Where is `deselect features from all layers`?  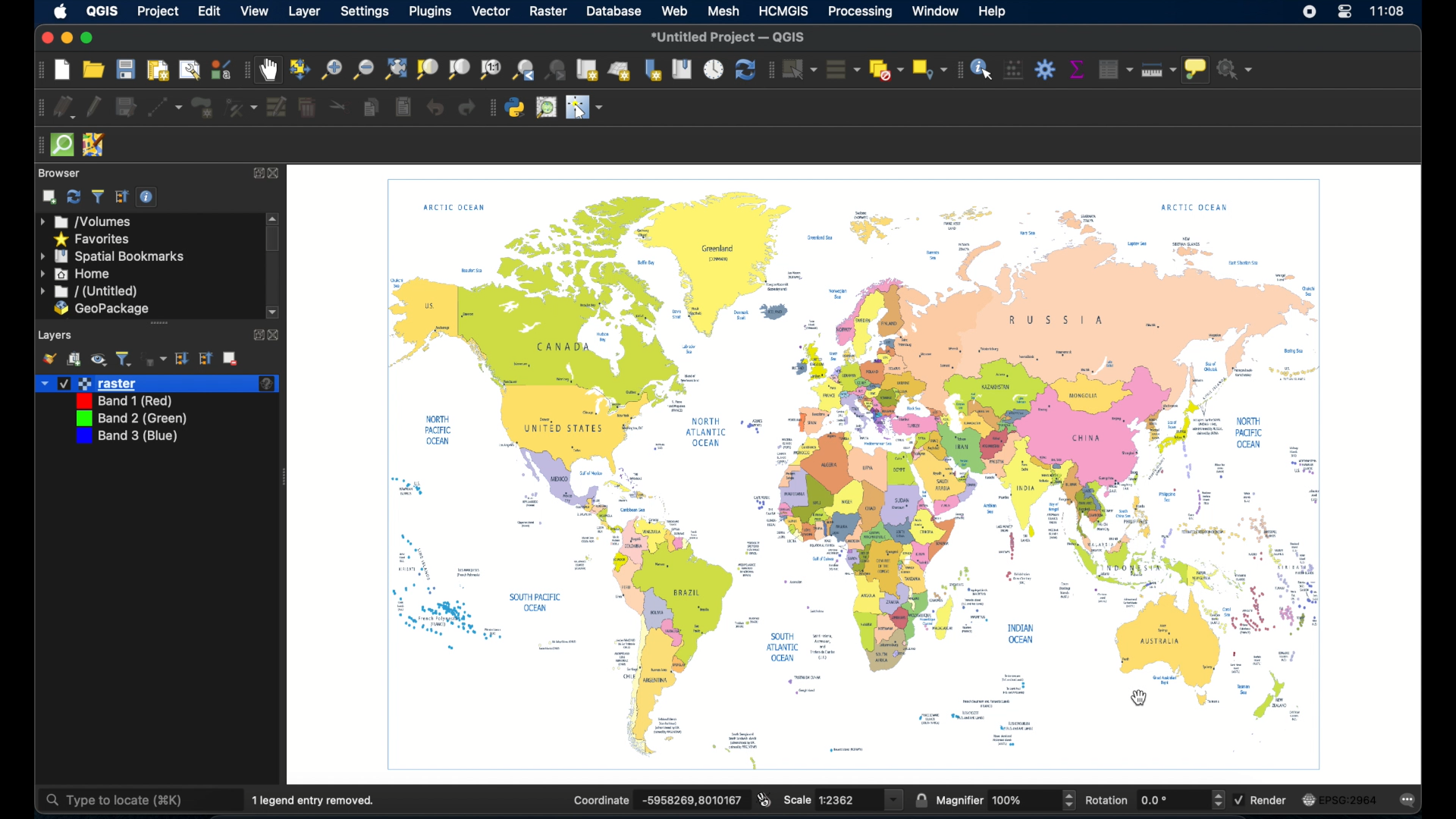 deselect features from all layers is located at coordinates (884, 69).